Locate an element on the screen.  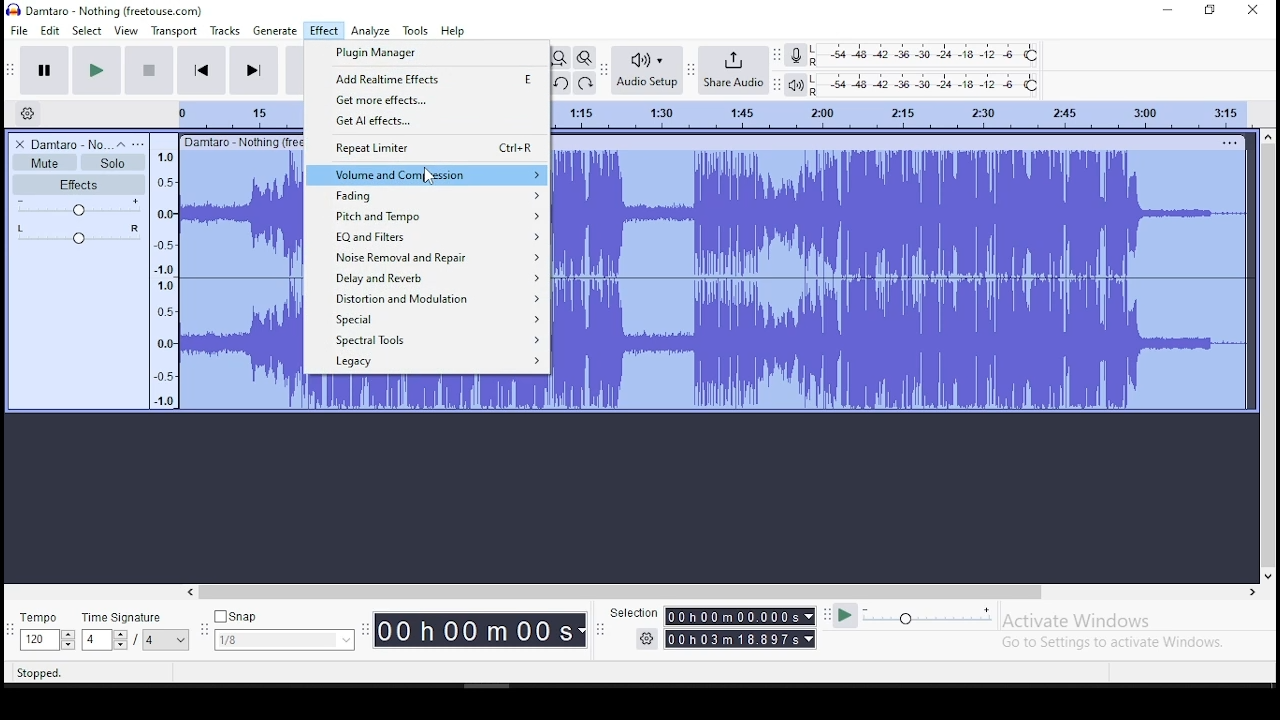
audio track name is located at coordinates (66, 143).